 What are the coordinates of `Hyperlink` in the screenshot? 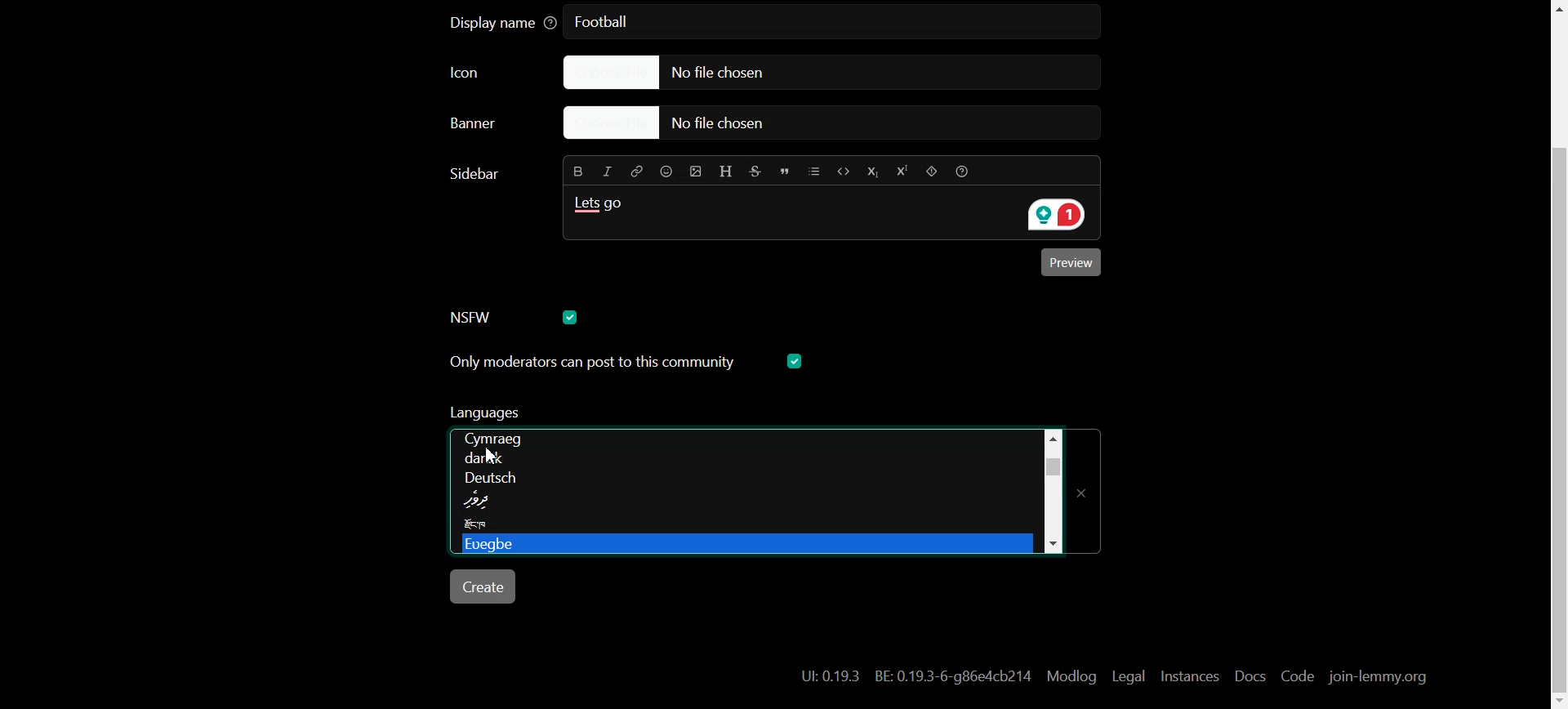 It's located at (637, 171).